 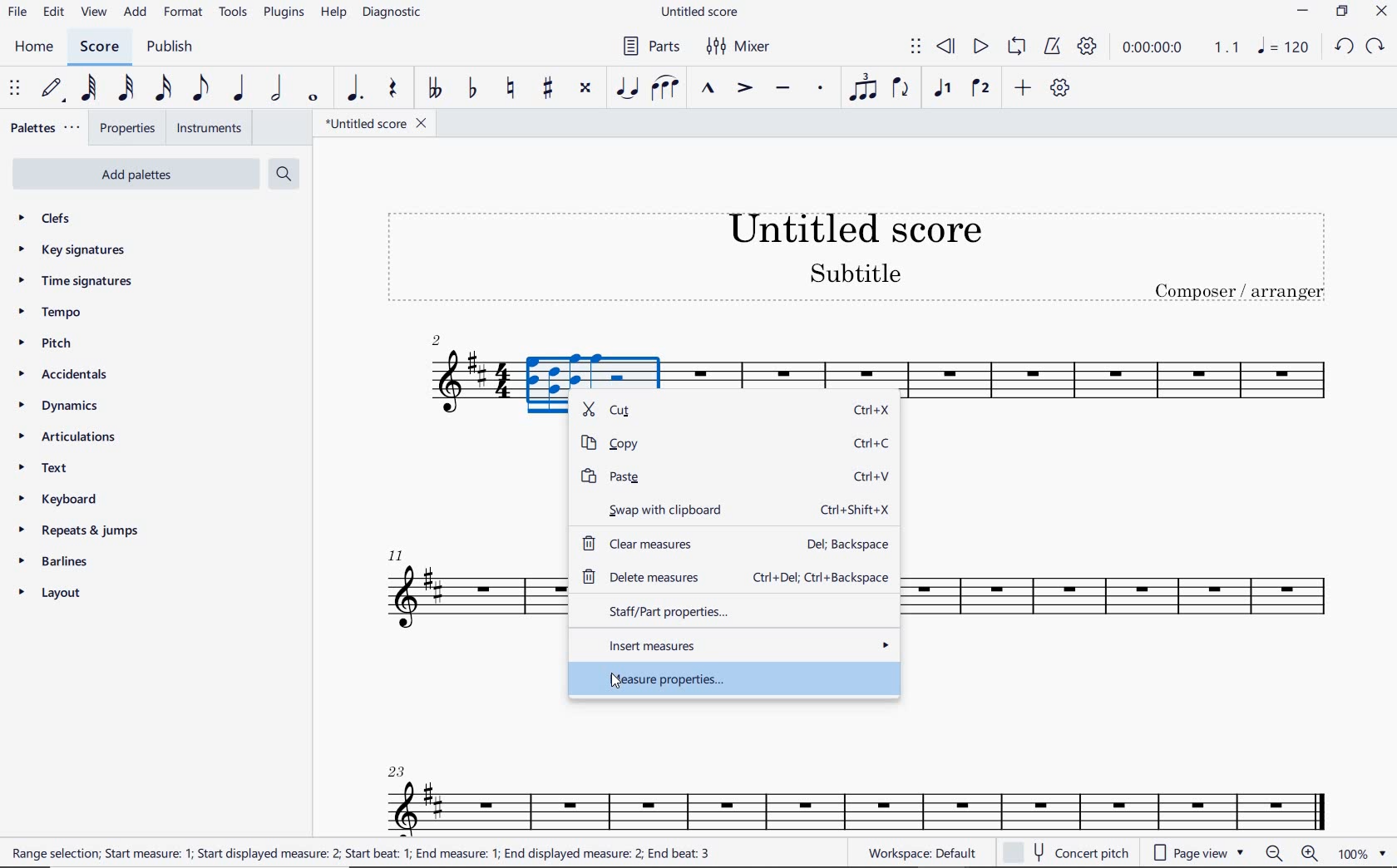 I want to click on cursor, so click(x=616, y=682).